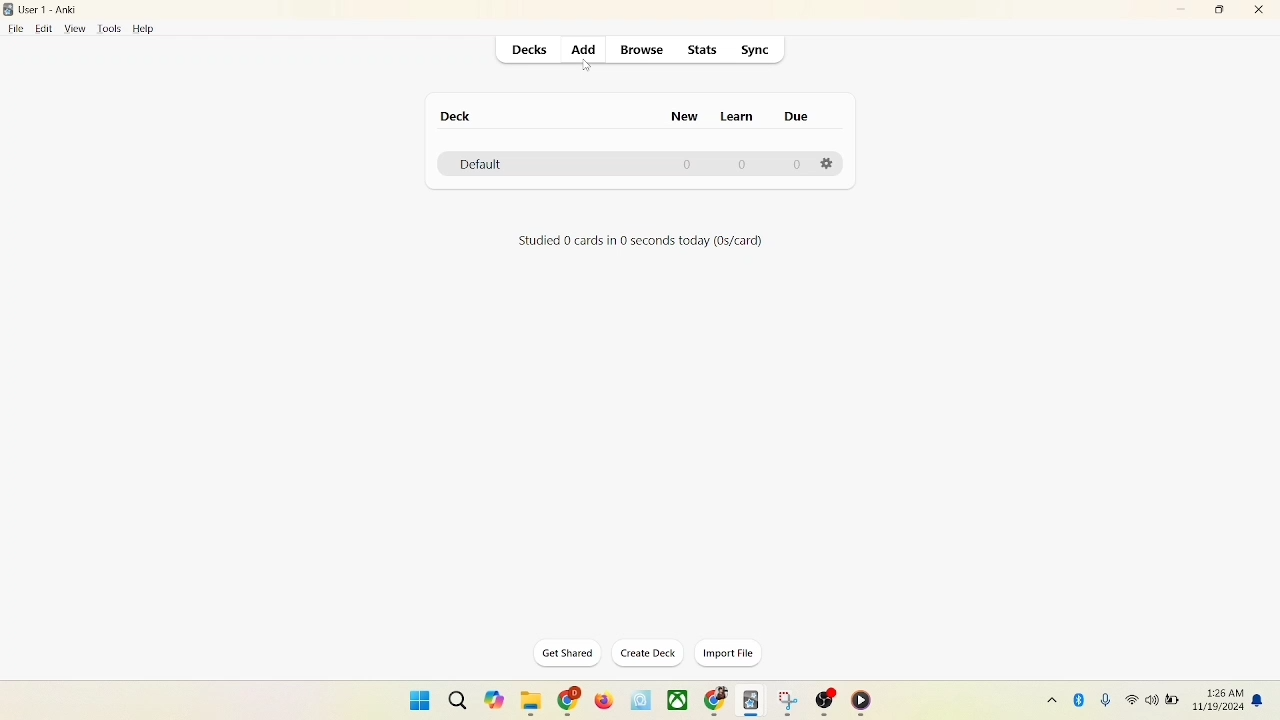 The image size is (1280, 720). I want to click on default, so click(475, 166).